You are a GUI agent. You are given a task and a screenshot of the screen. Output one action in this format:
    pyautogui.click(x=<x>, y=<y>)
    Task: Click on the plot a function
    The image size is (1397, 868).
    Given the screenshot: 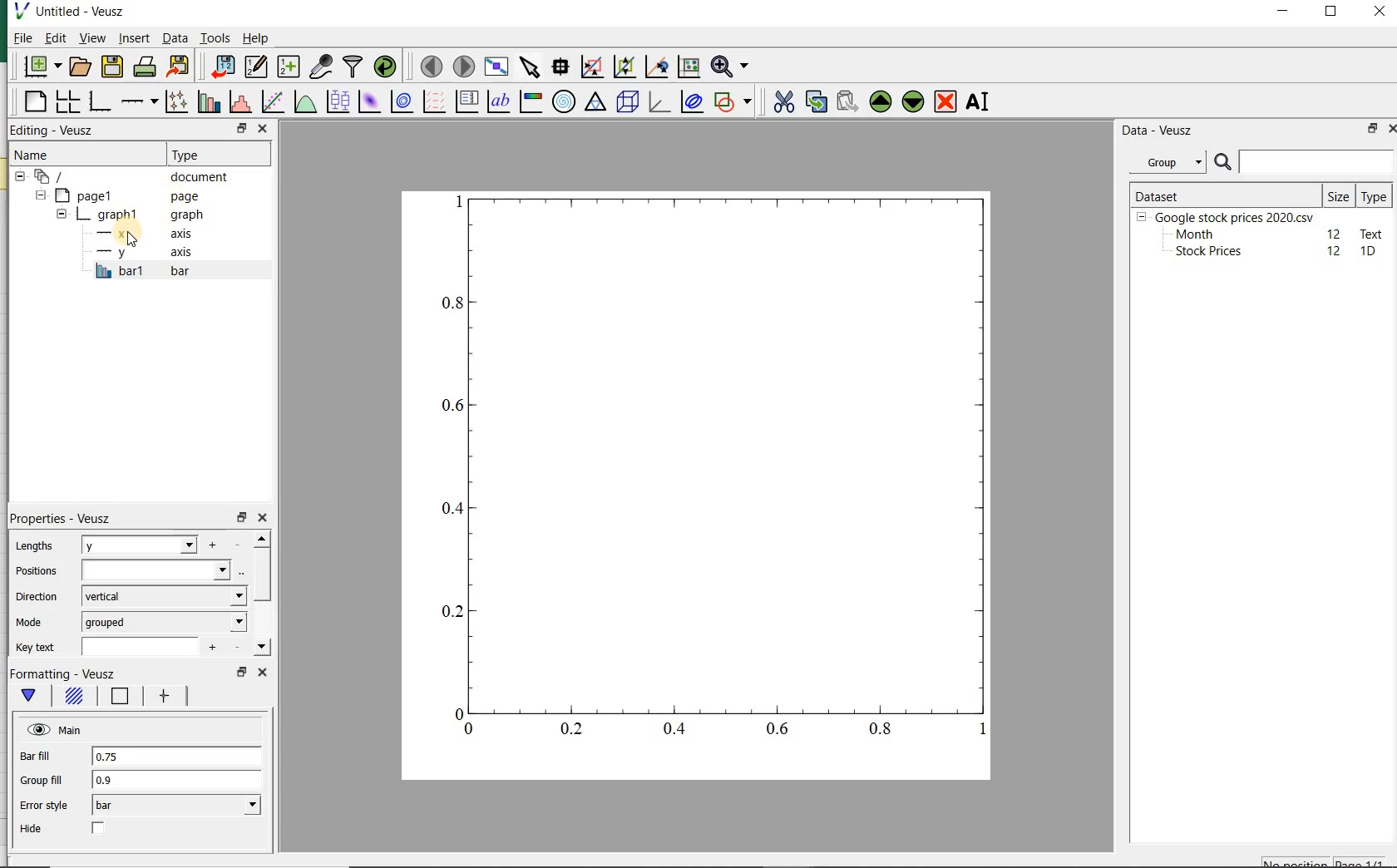 What is the action you would take?
    pyautogui.click(x=304, y=103)
    